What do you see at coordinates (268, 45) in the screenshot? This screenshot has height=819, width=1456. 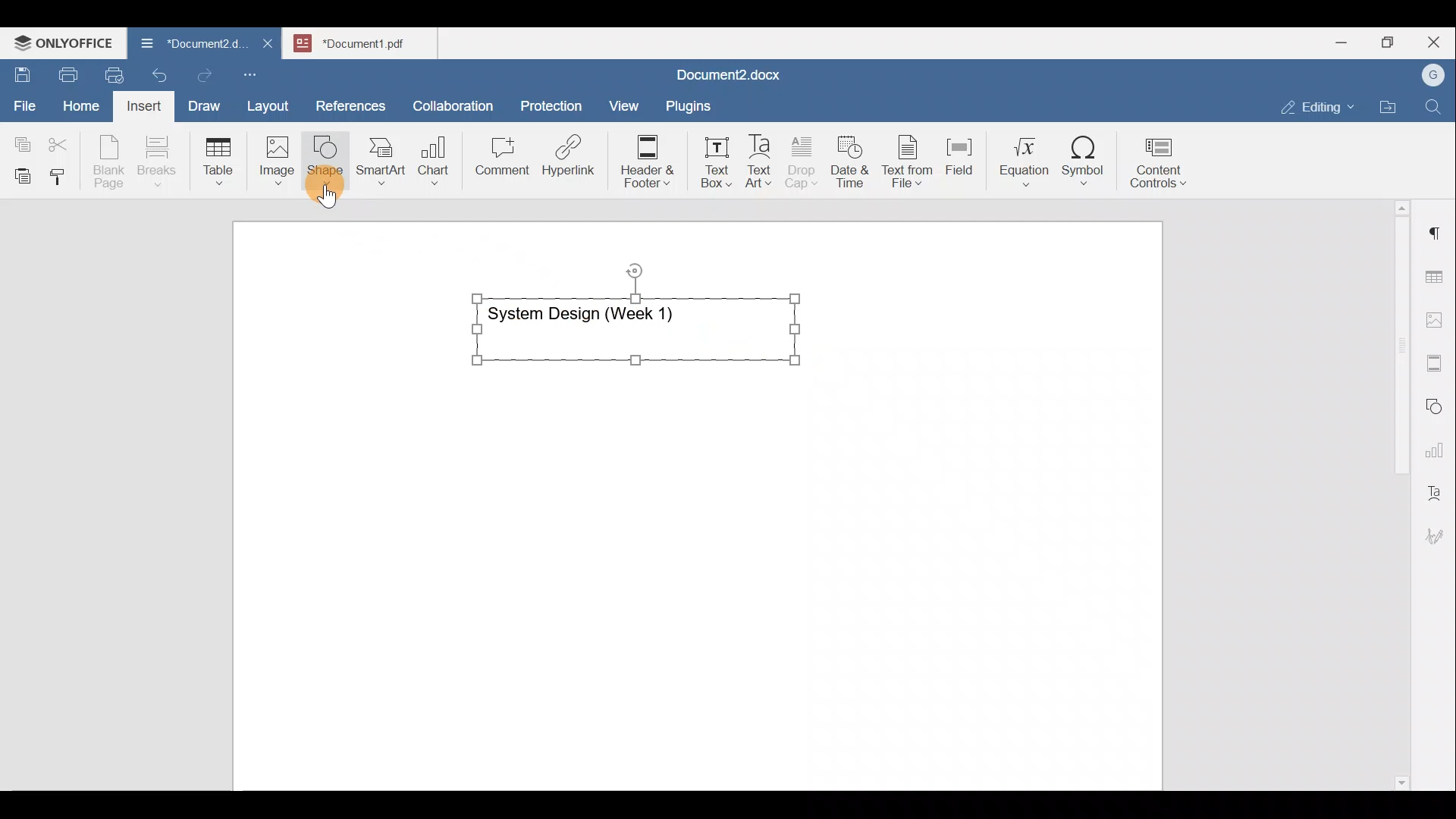 I see `Close document` at bounding box center [268, 45].